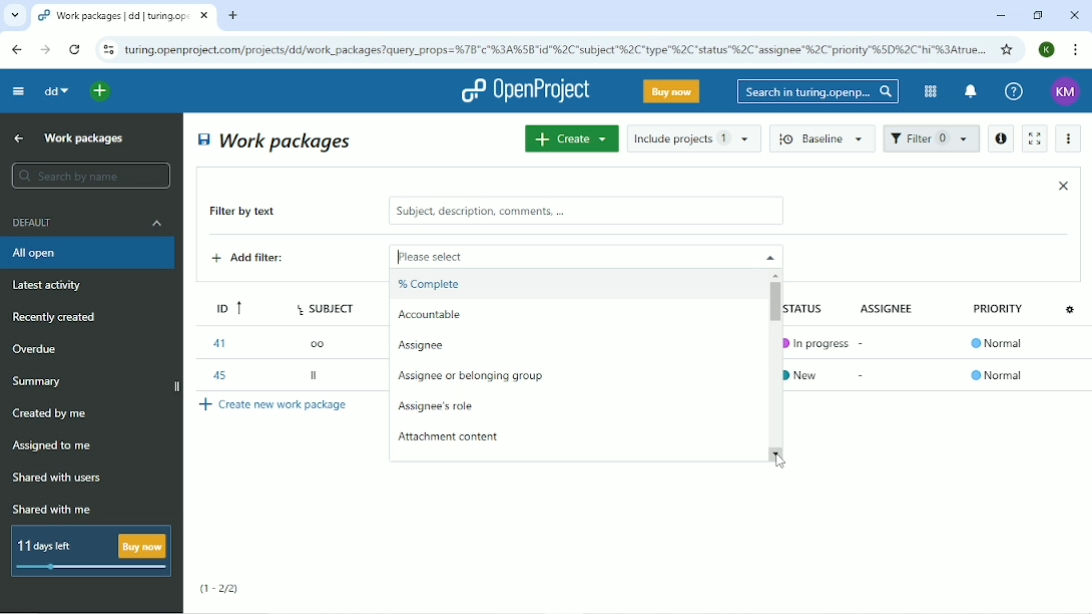 The image size is (1092, 614). I want to click on % Complete, so click(434, 285).